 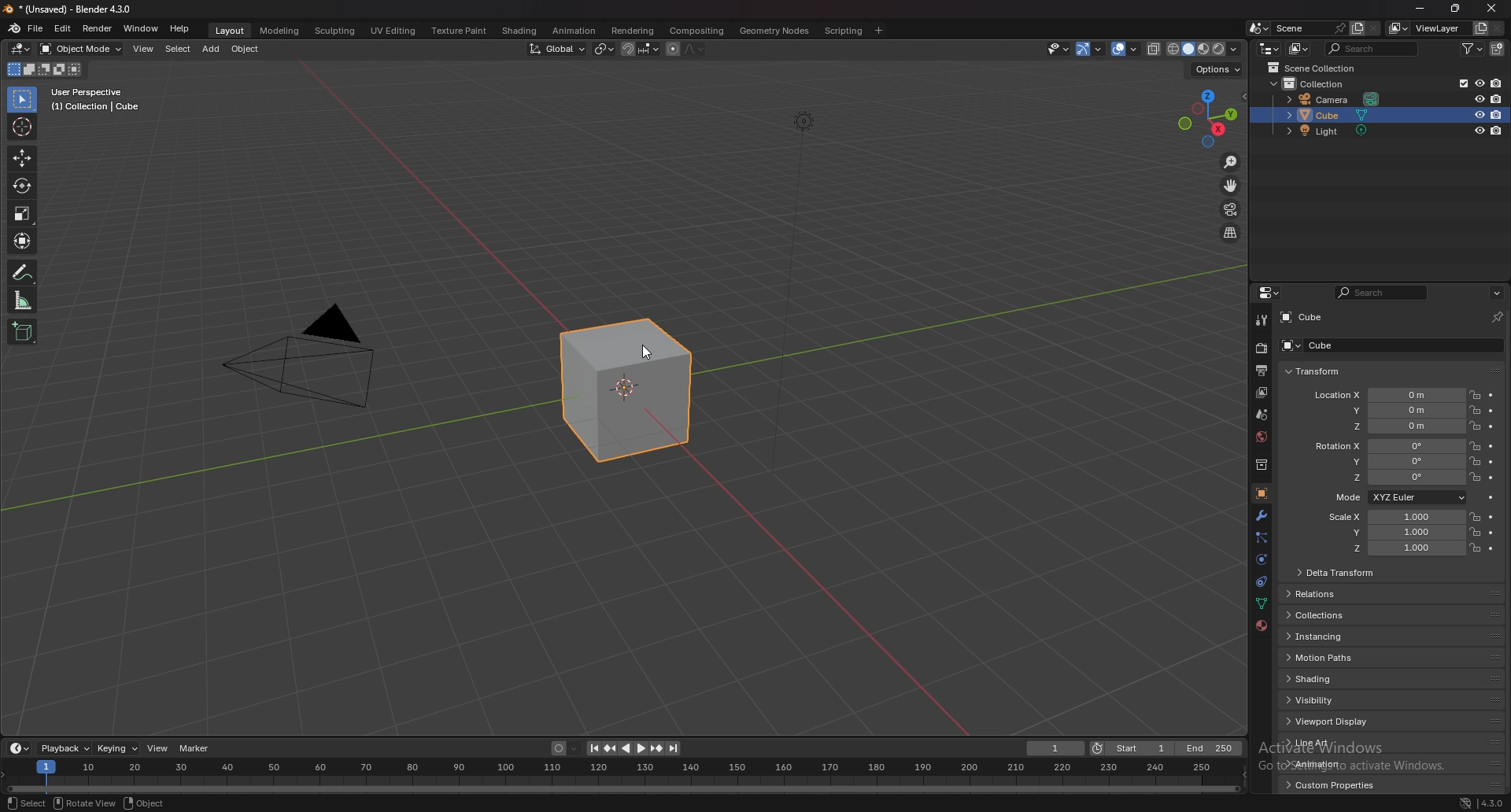 I want to click on animate property, so click(x=1492, y=426).